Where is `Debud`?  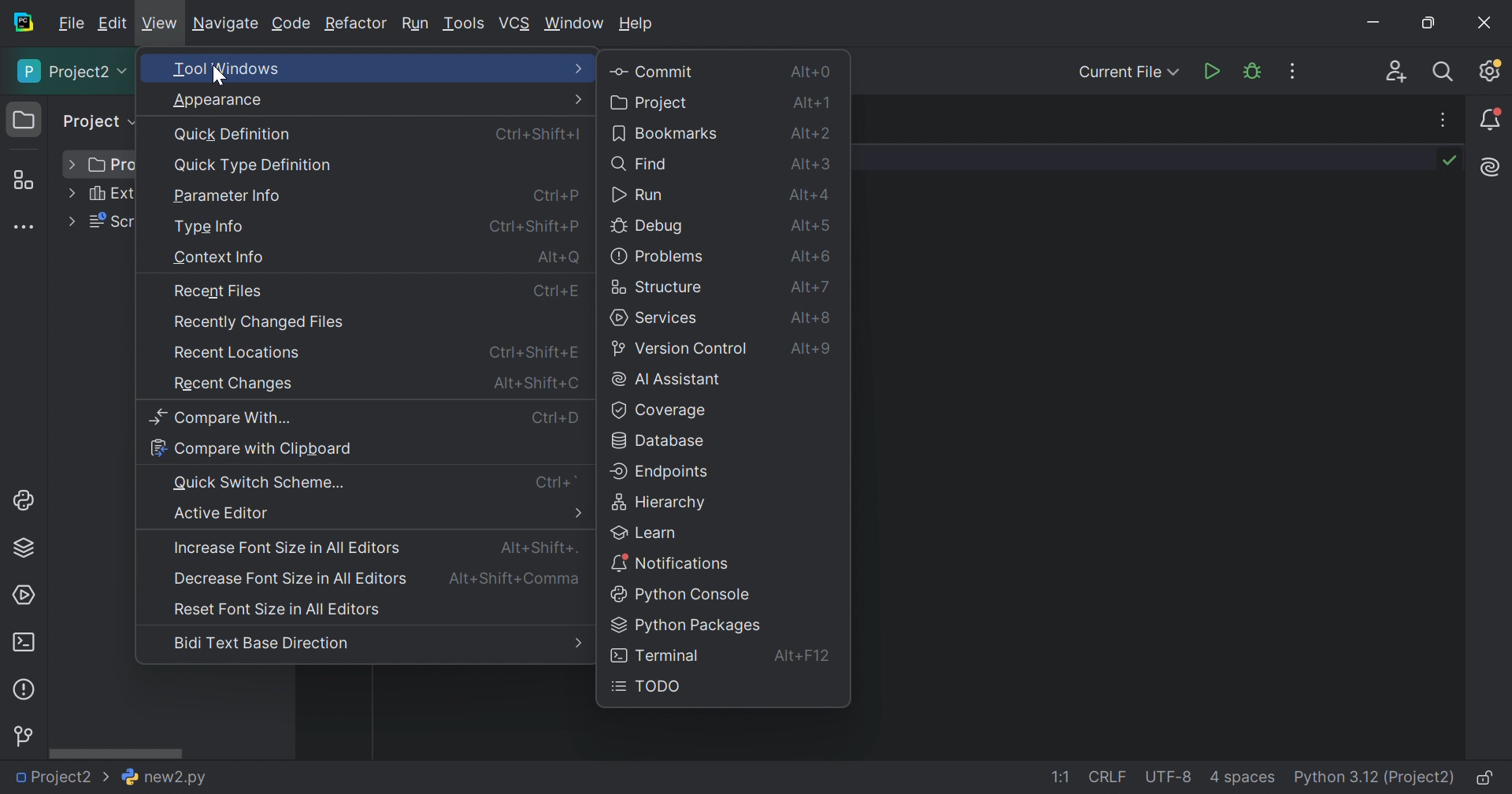 Debud is located at coordinates (1252, 73).